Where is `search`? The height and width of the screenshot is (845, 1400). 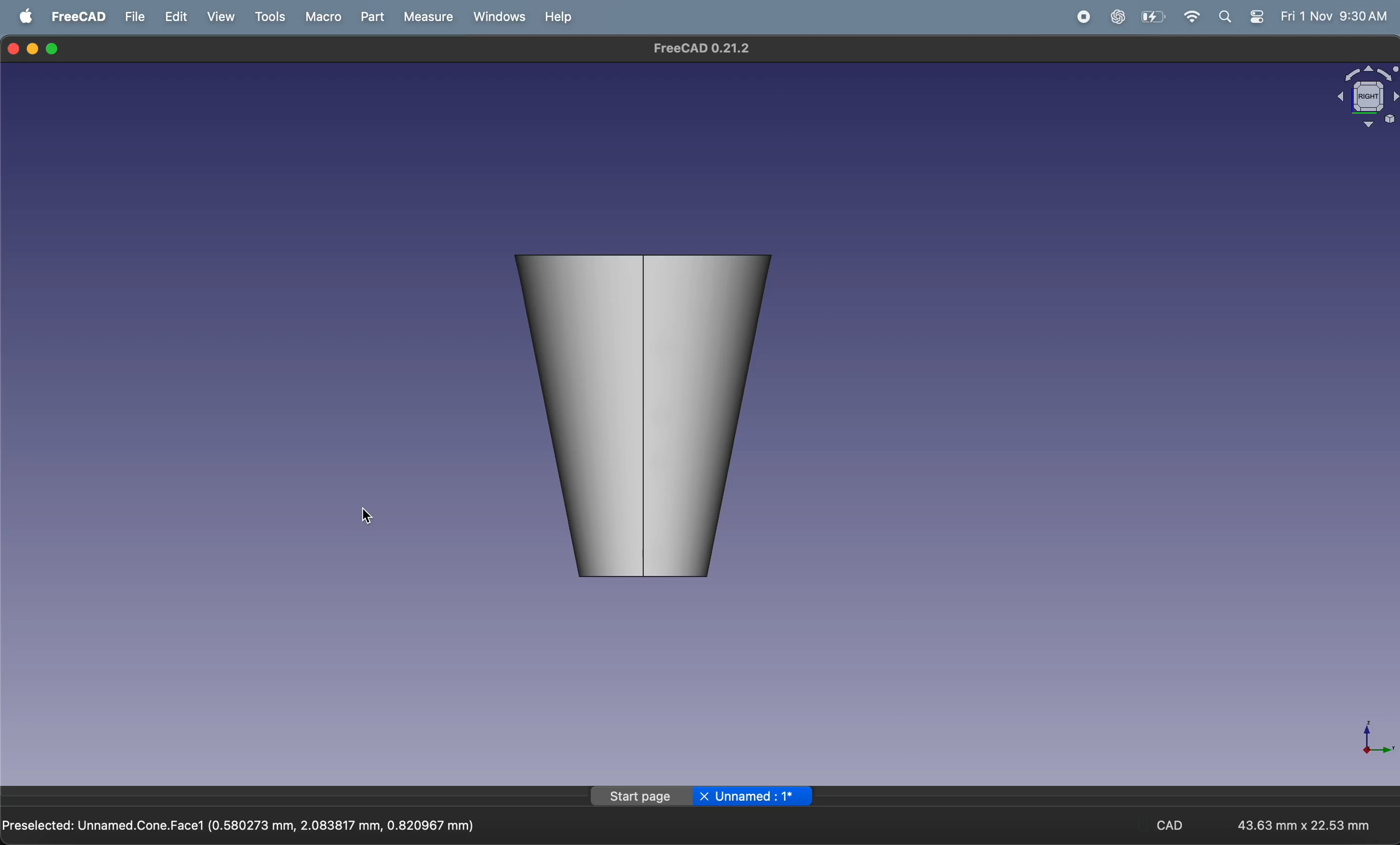
search is located at coordinates (1229, 16).